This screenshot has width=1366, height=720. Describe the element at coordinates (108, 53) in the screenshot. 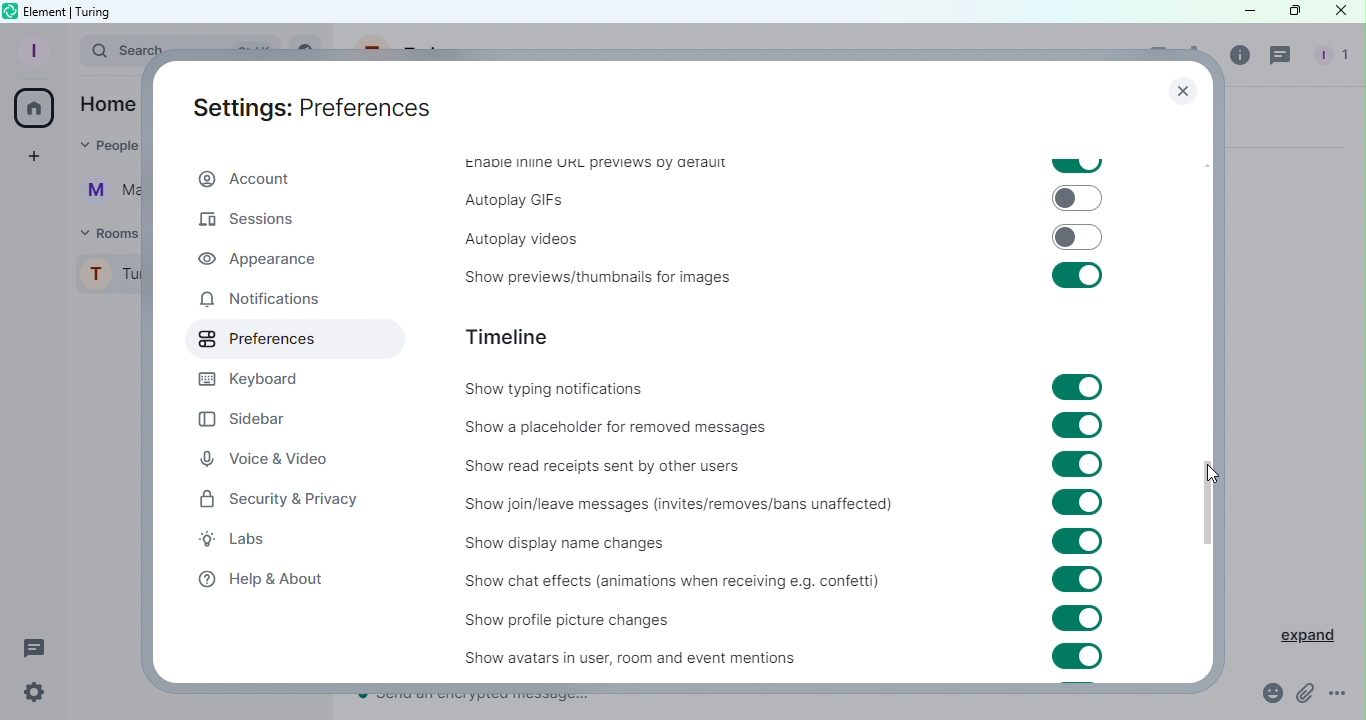

I see `Search` at that location.